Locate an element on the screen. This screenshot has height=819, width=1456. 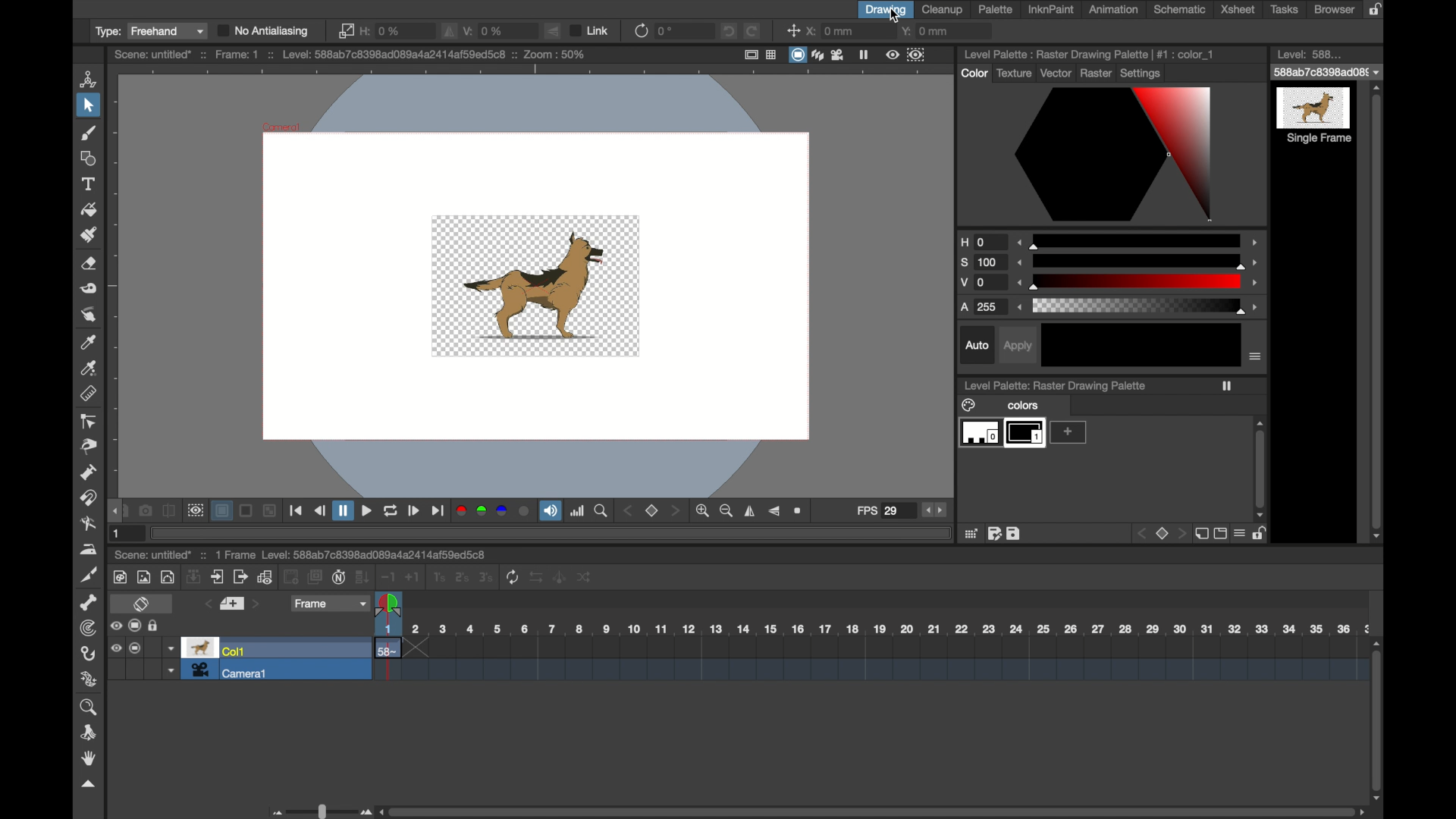
type tool is located at coordinates (90, 184).